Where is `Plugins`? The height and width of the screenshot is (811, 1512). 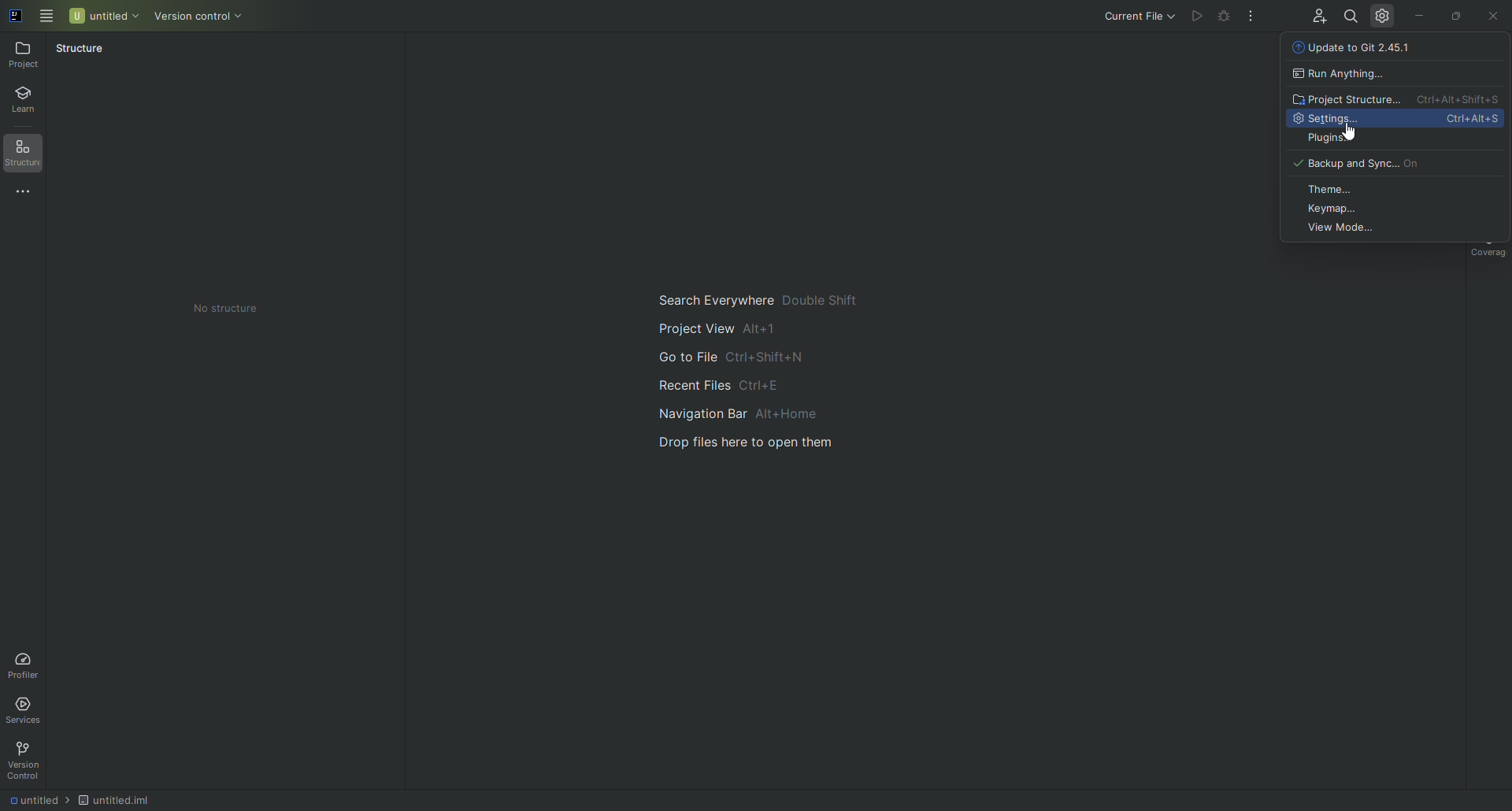
Plugins is located at coordinates (1390, 143).